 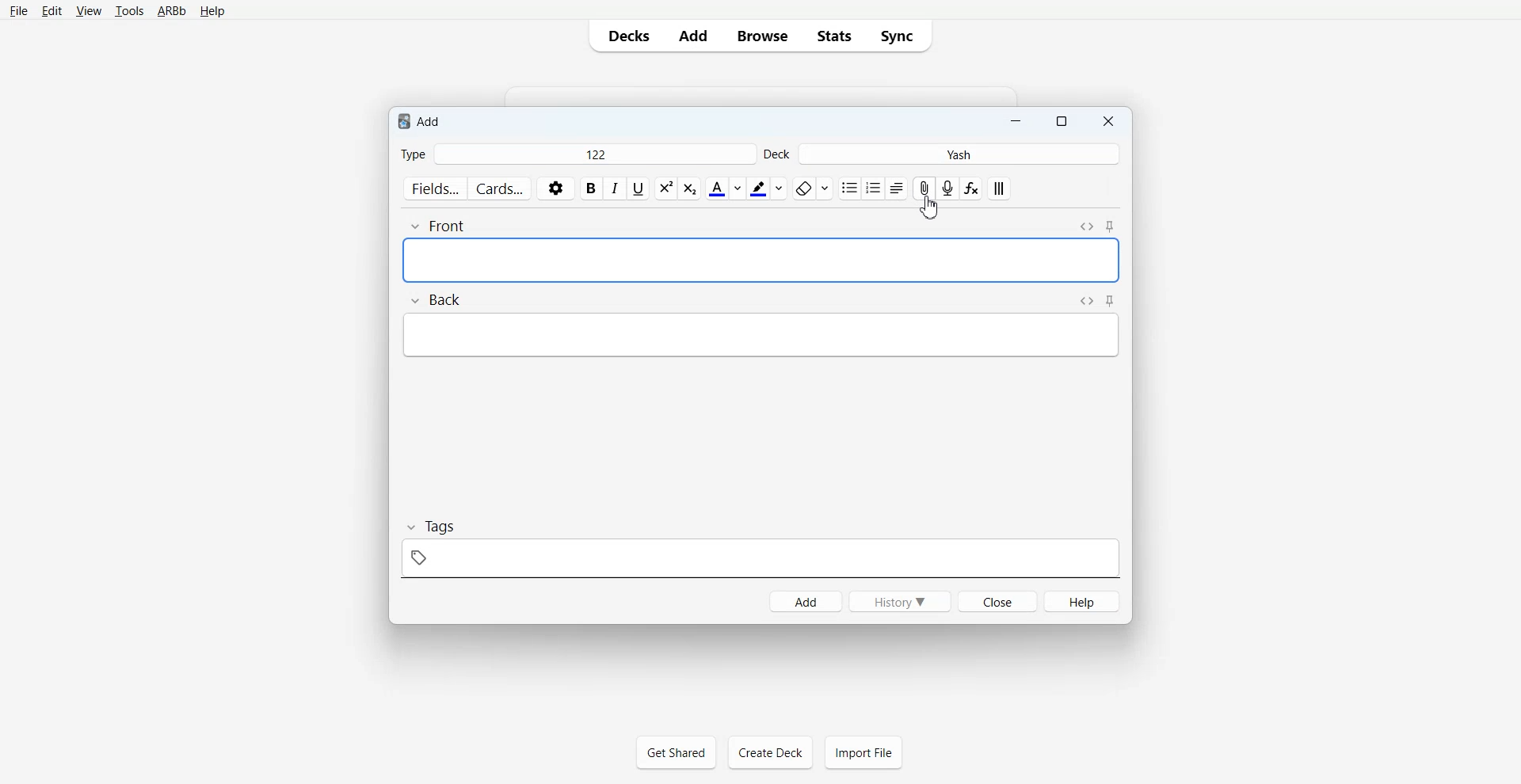 What do you see at coordinates (694, 36) in the screenshot?
I see `Add` at bounding box center [694, 36].